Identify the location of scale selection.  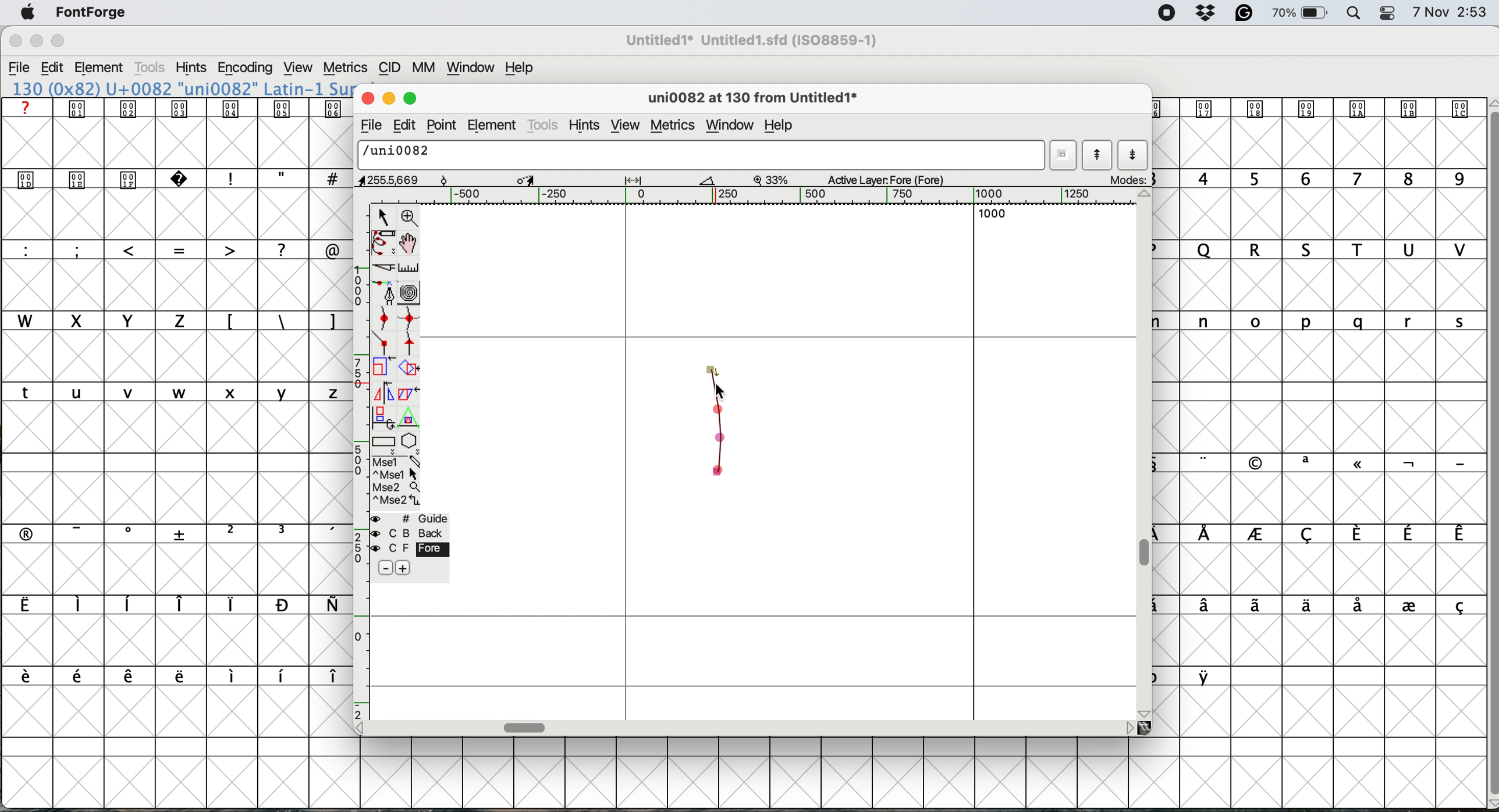
(383, 369).